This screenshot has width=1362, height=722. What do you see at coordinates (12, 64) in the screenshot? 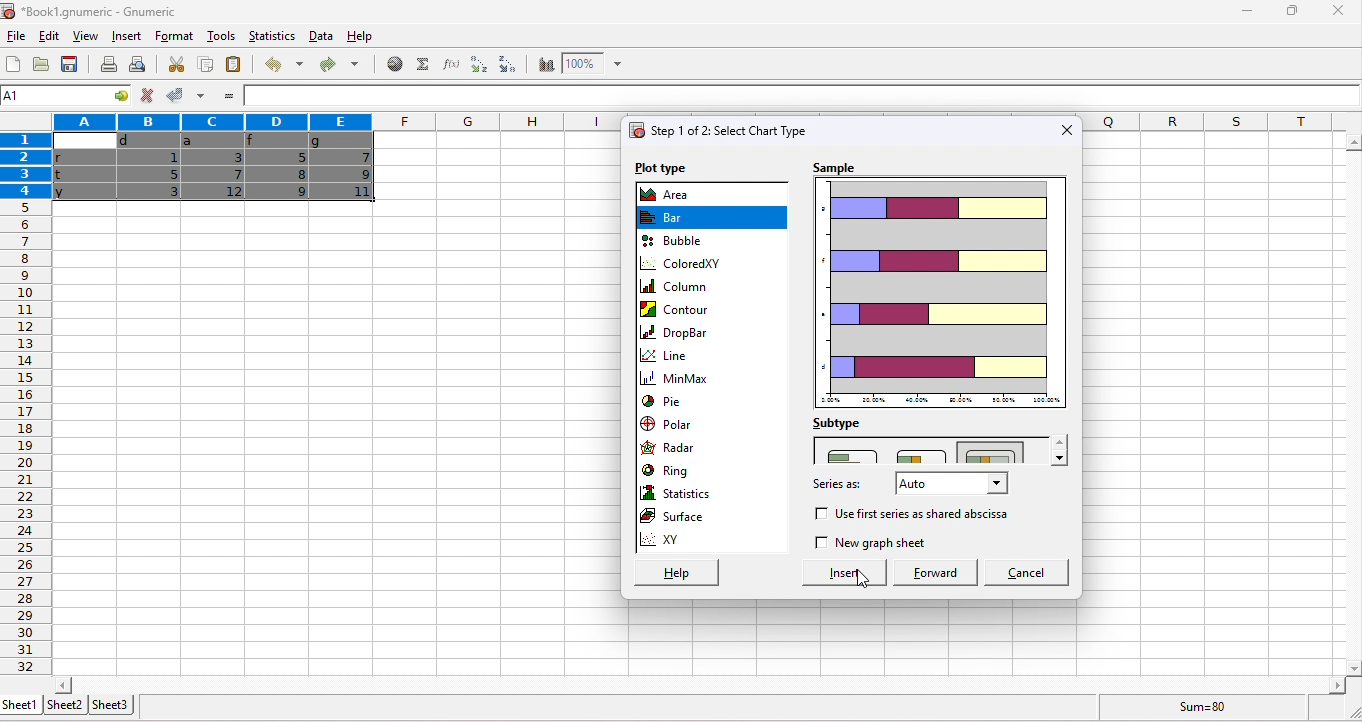
I see `new` at bounding box center [12, 64].